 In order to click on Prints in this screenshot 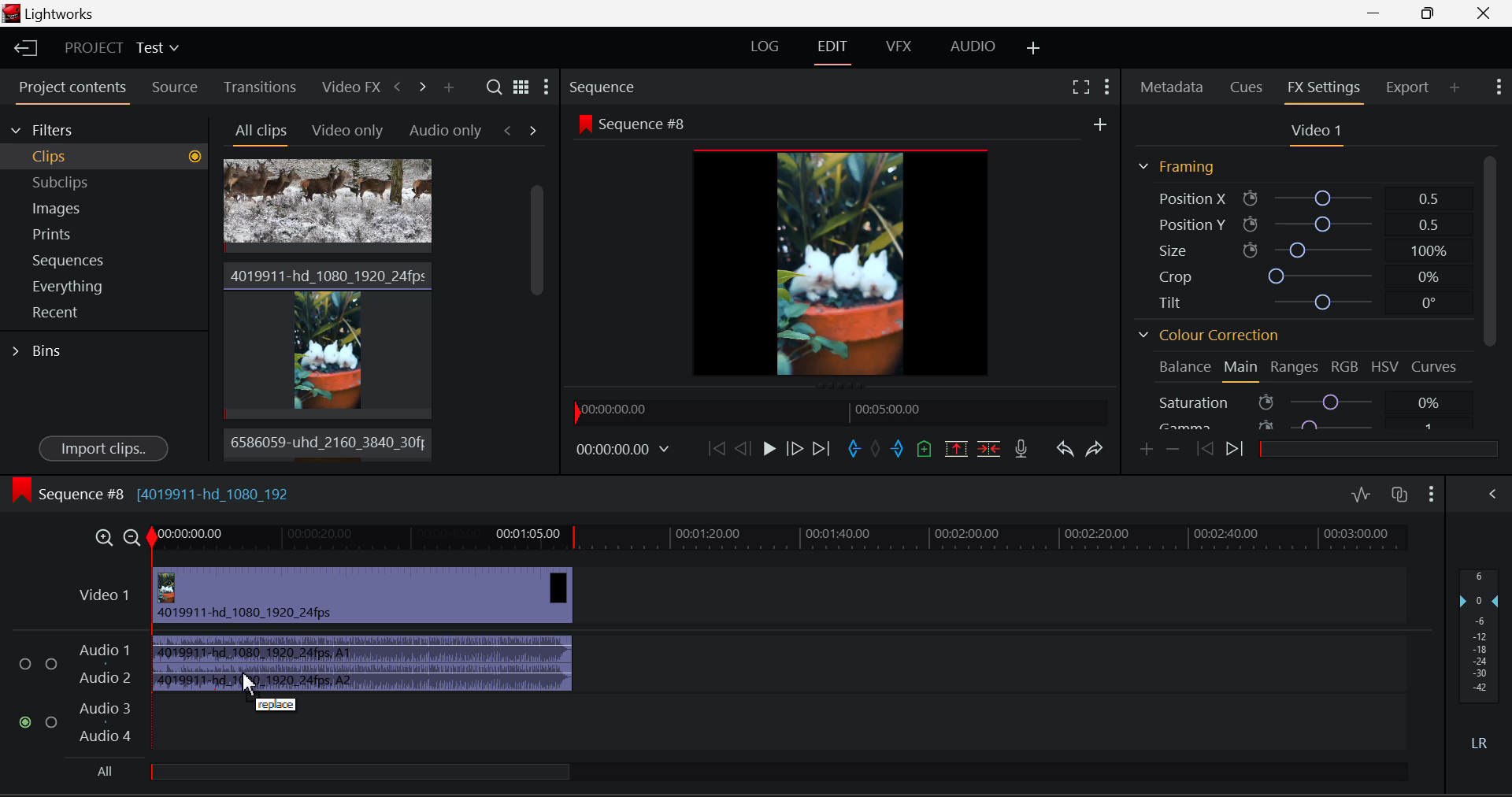, I will do `click(105, 233)`.